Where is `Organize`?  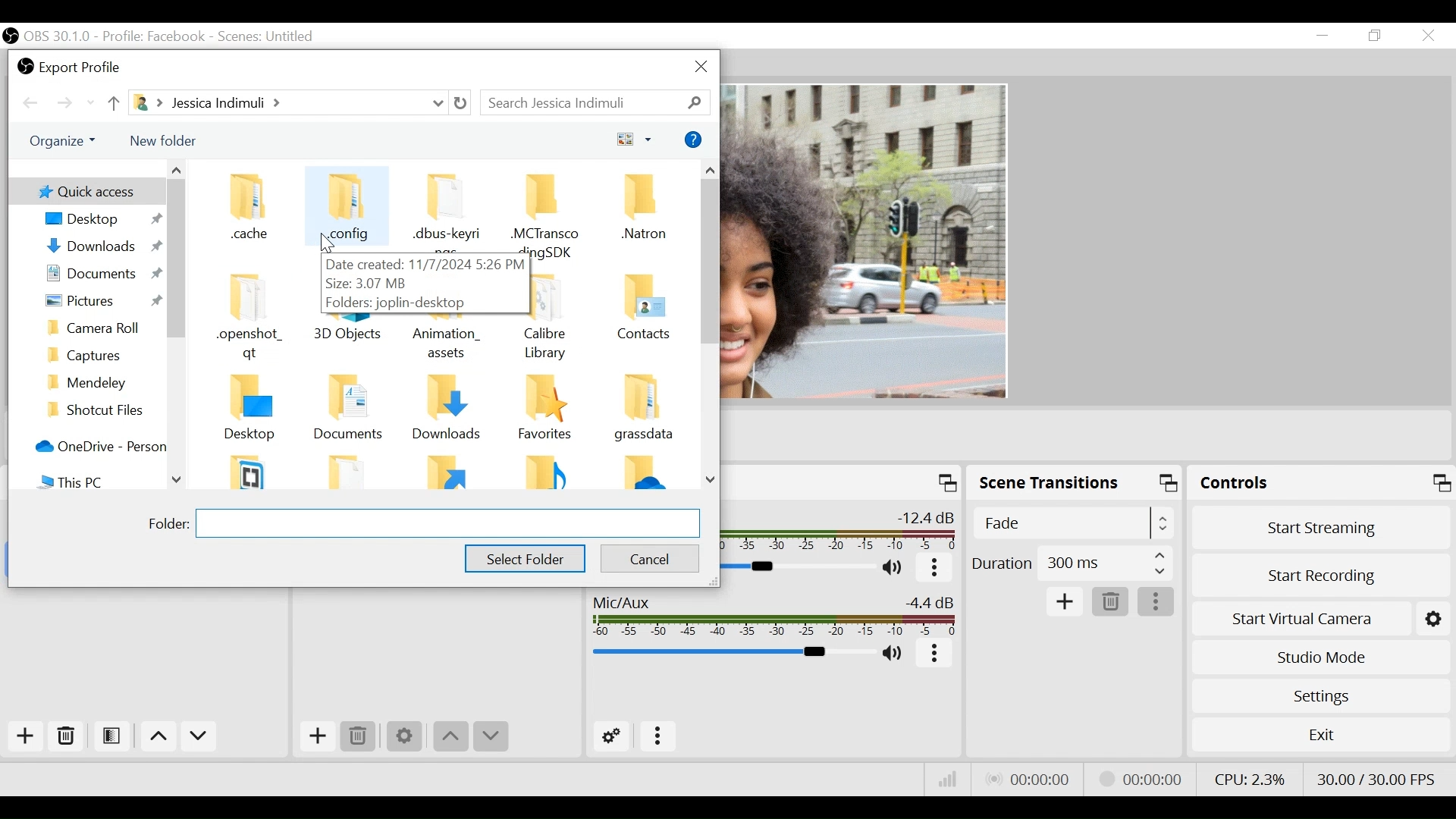 Organize is located at coordinates (67, 142).